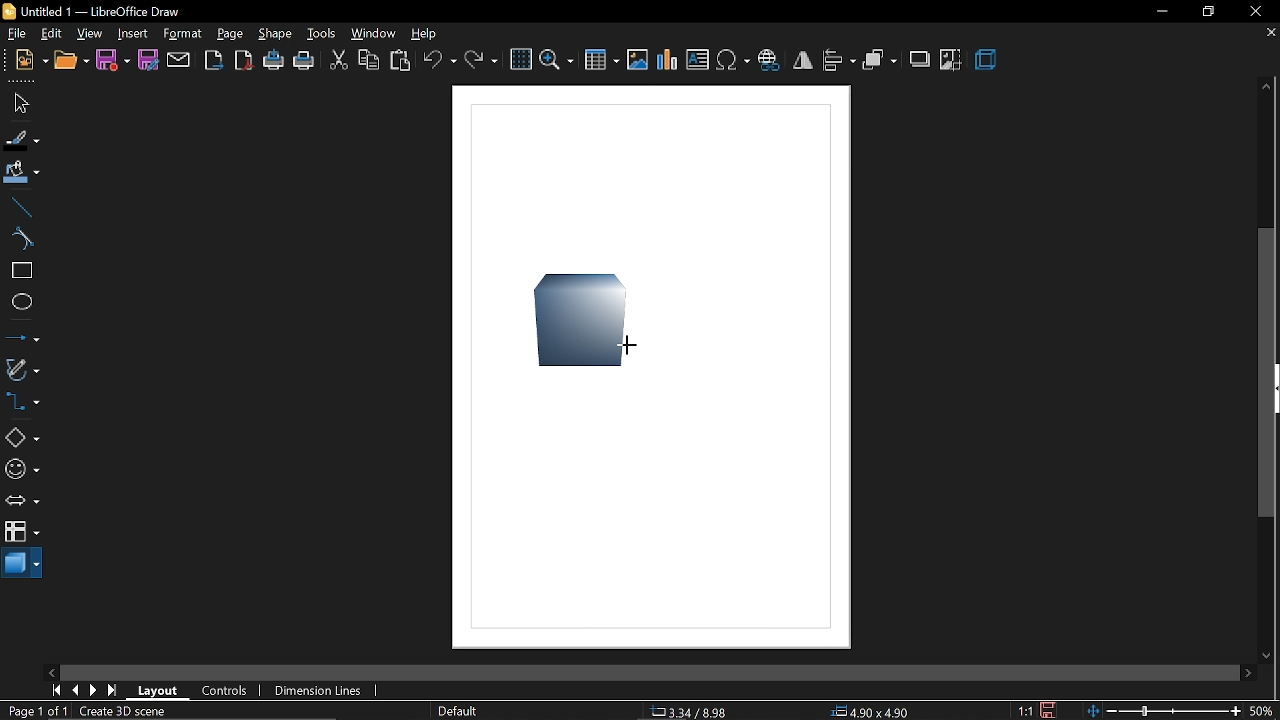  What do you see at coordinates (458, 711) in the screenshot?
I see `page style` at bounding box center [458, 711].